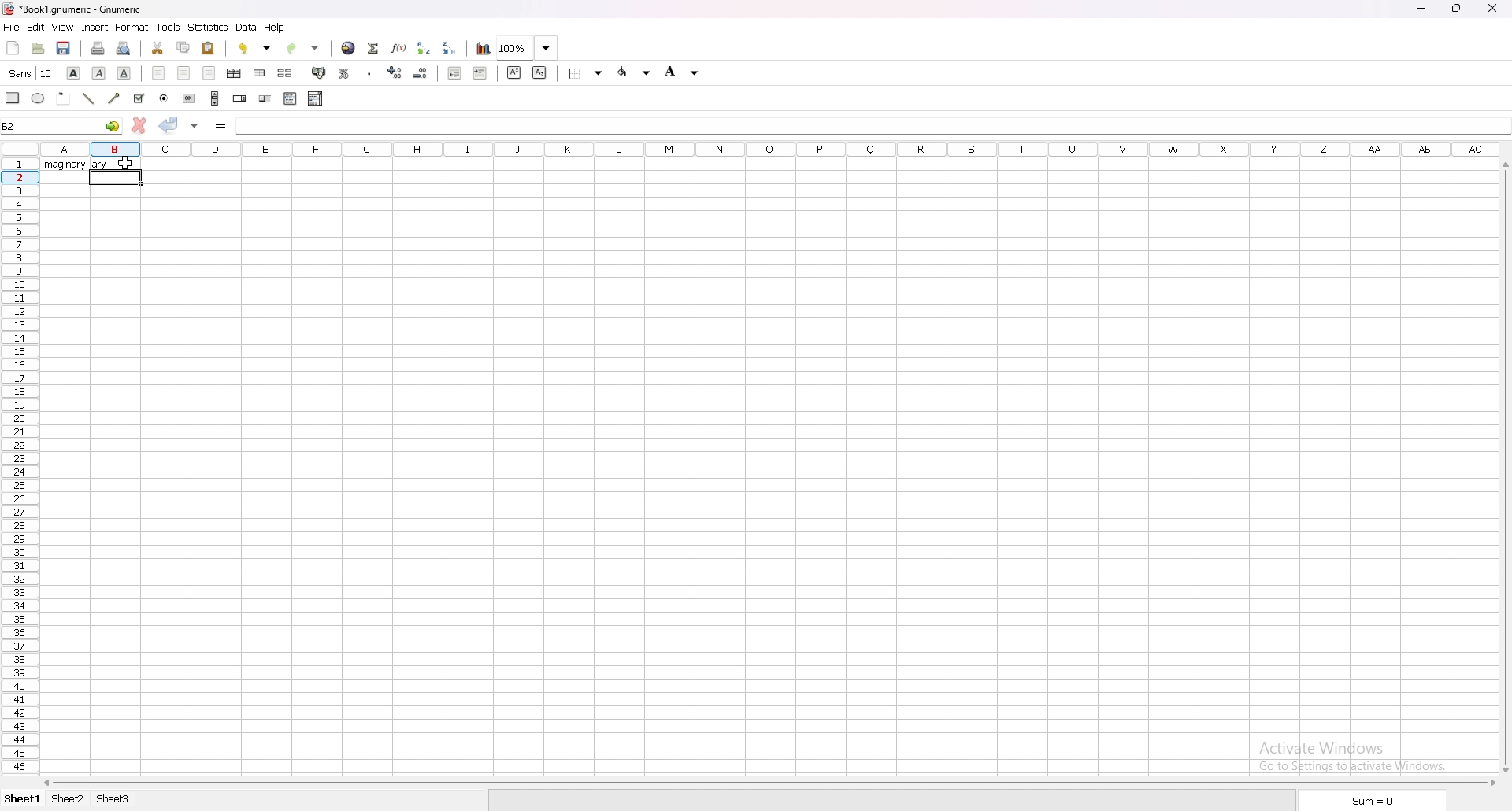 This screenshot has height=811, width=1512. I want to click on sheet 2, so click(69, 800).